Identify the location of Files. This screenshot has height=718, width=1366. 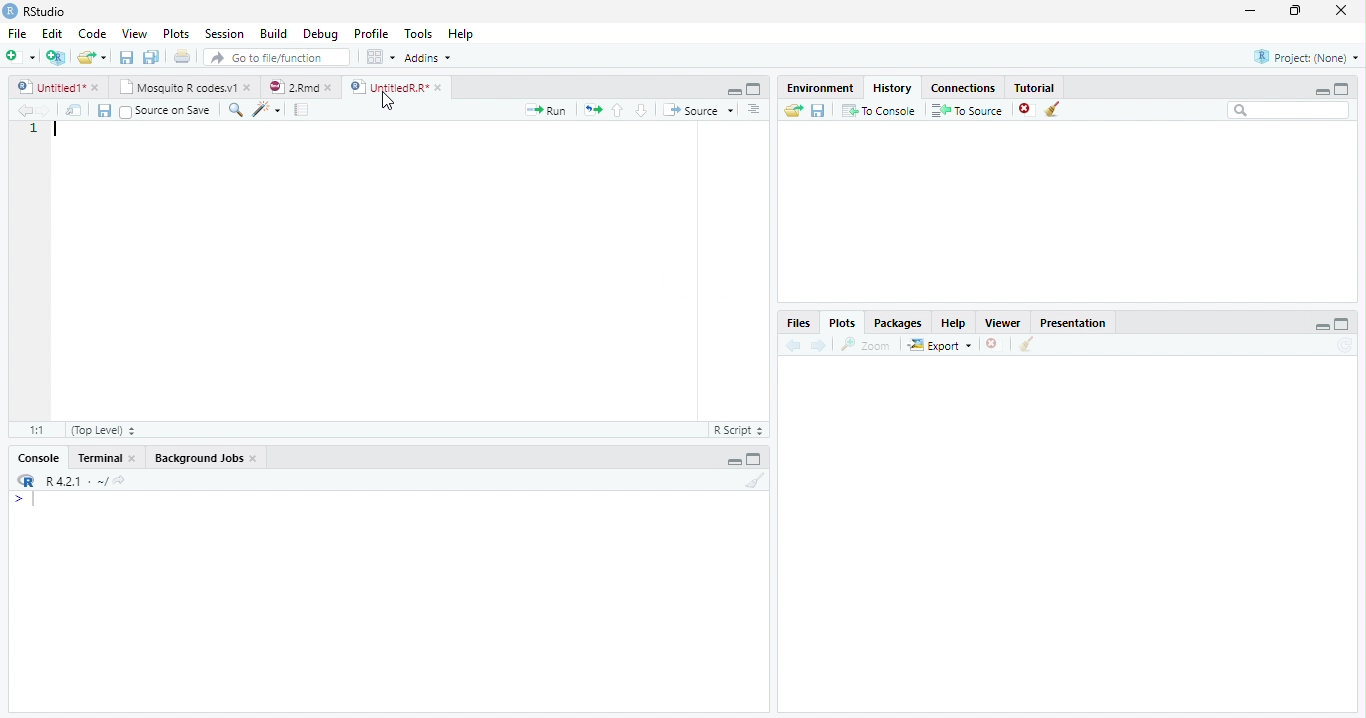
(799, 323).